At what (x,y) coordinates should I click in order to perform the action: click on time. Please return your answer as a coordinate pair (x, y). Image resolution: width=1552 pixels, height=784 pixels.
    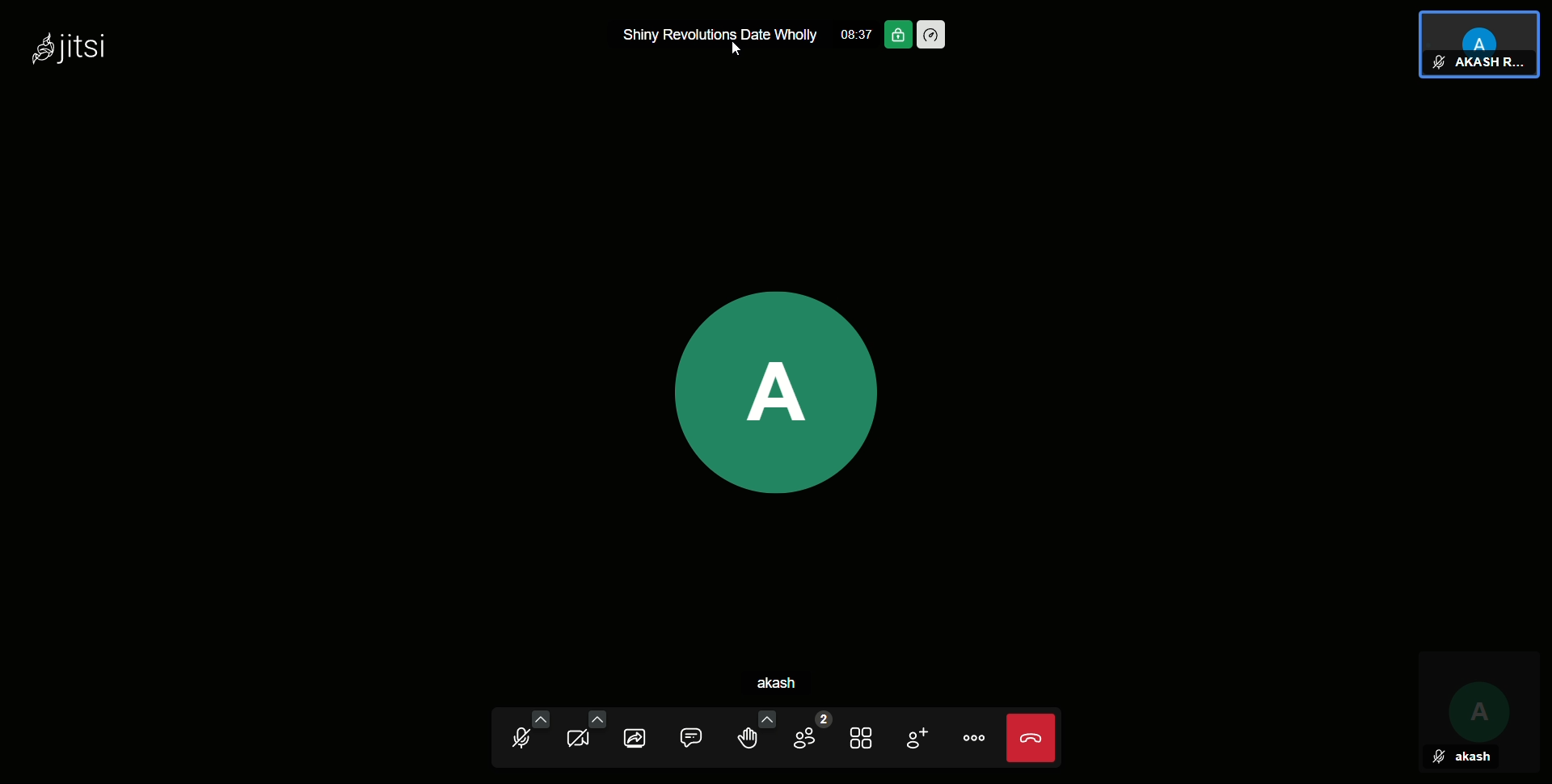
    Looking at the image, I should click on (856, 32).